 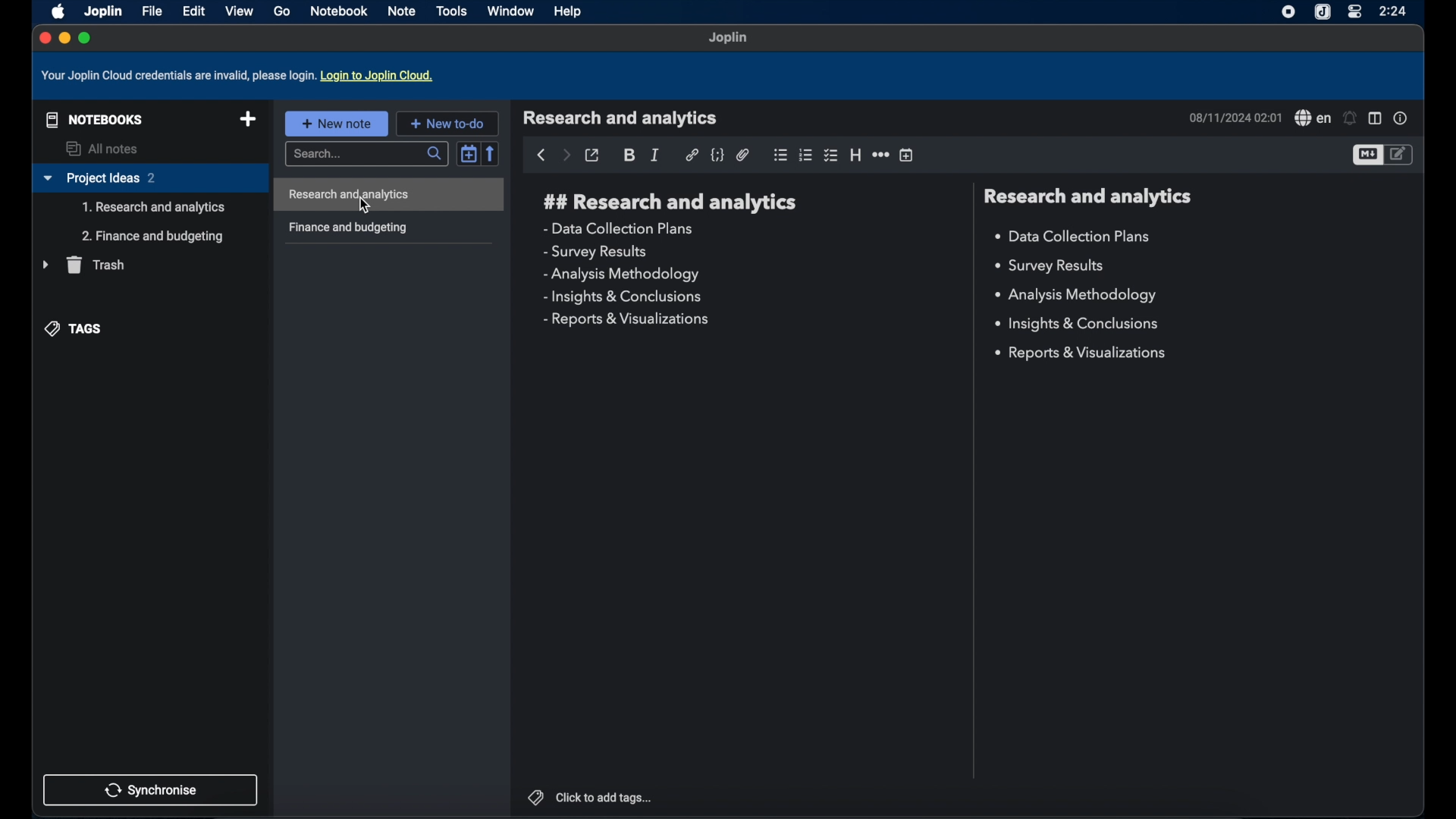 I want to click on survey results, so click(x=595, y=253).